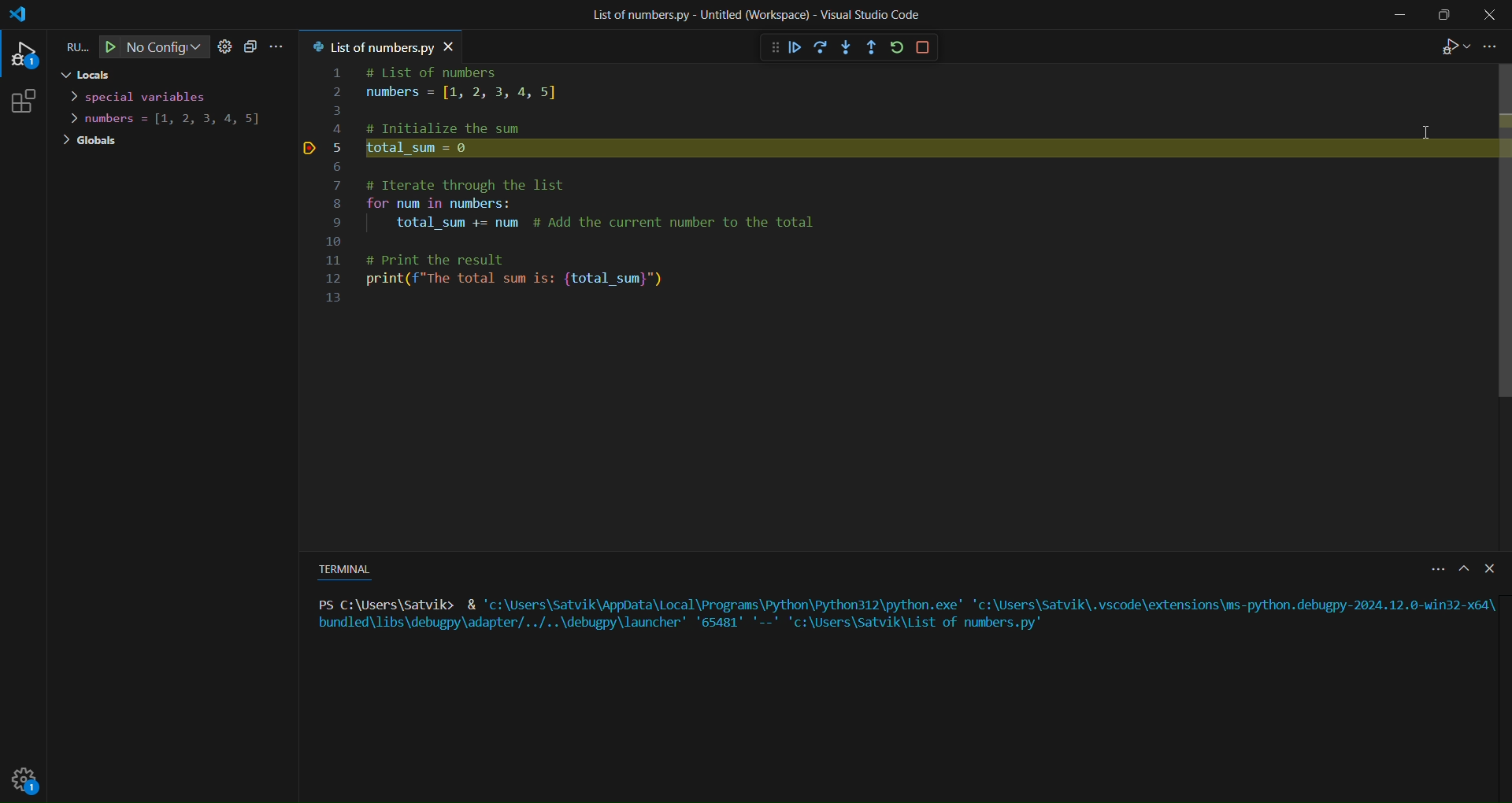 This screenshot has width=1512, height=803. Describe the element at coordinates (307, 147) in the screenshot. I see `breakpoint line` at that location.